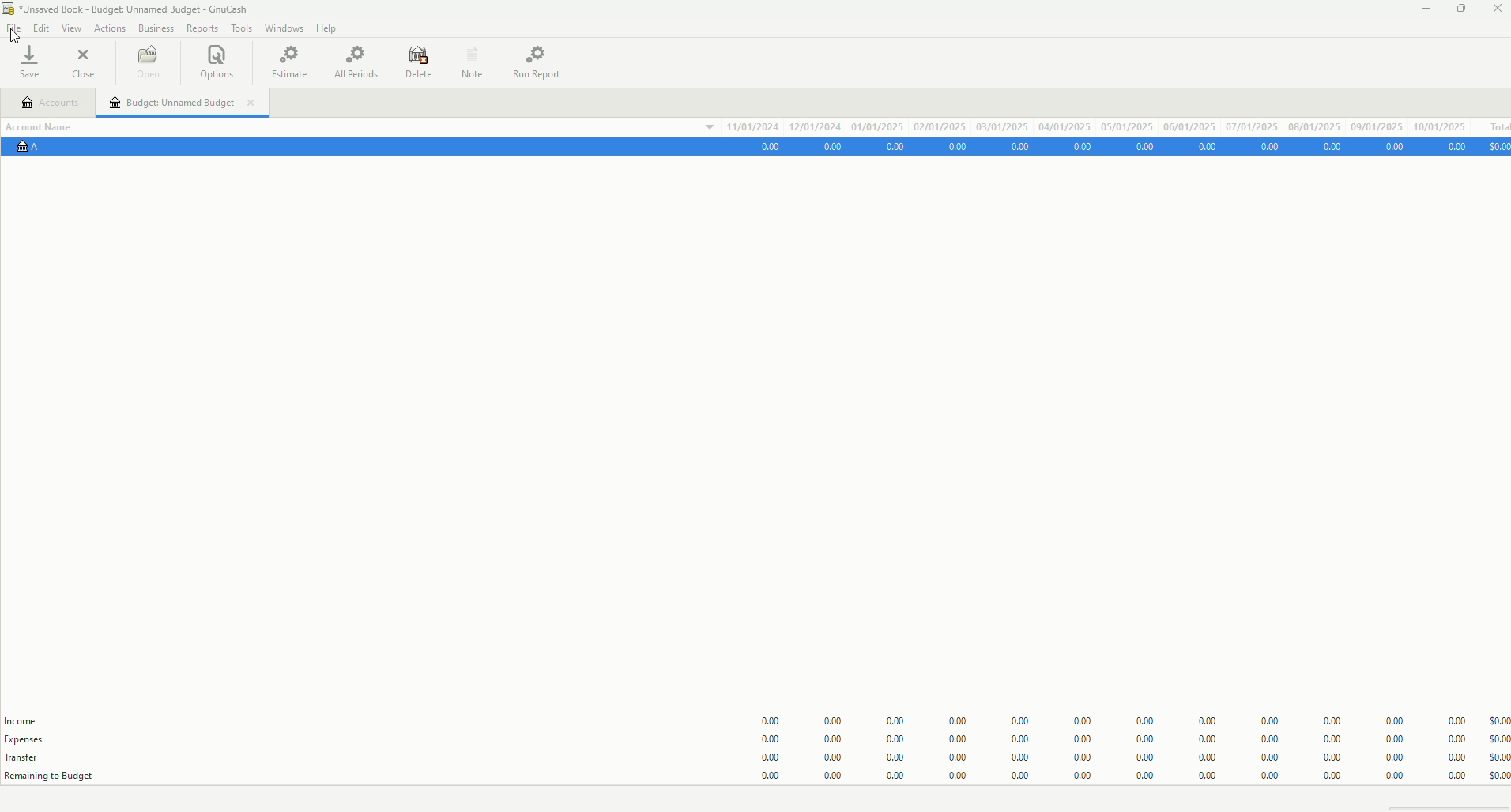 The width and height of the screenshot is (1511, 812). I want to click on Estimate, so click(293, 63).